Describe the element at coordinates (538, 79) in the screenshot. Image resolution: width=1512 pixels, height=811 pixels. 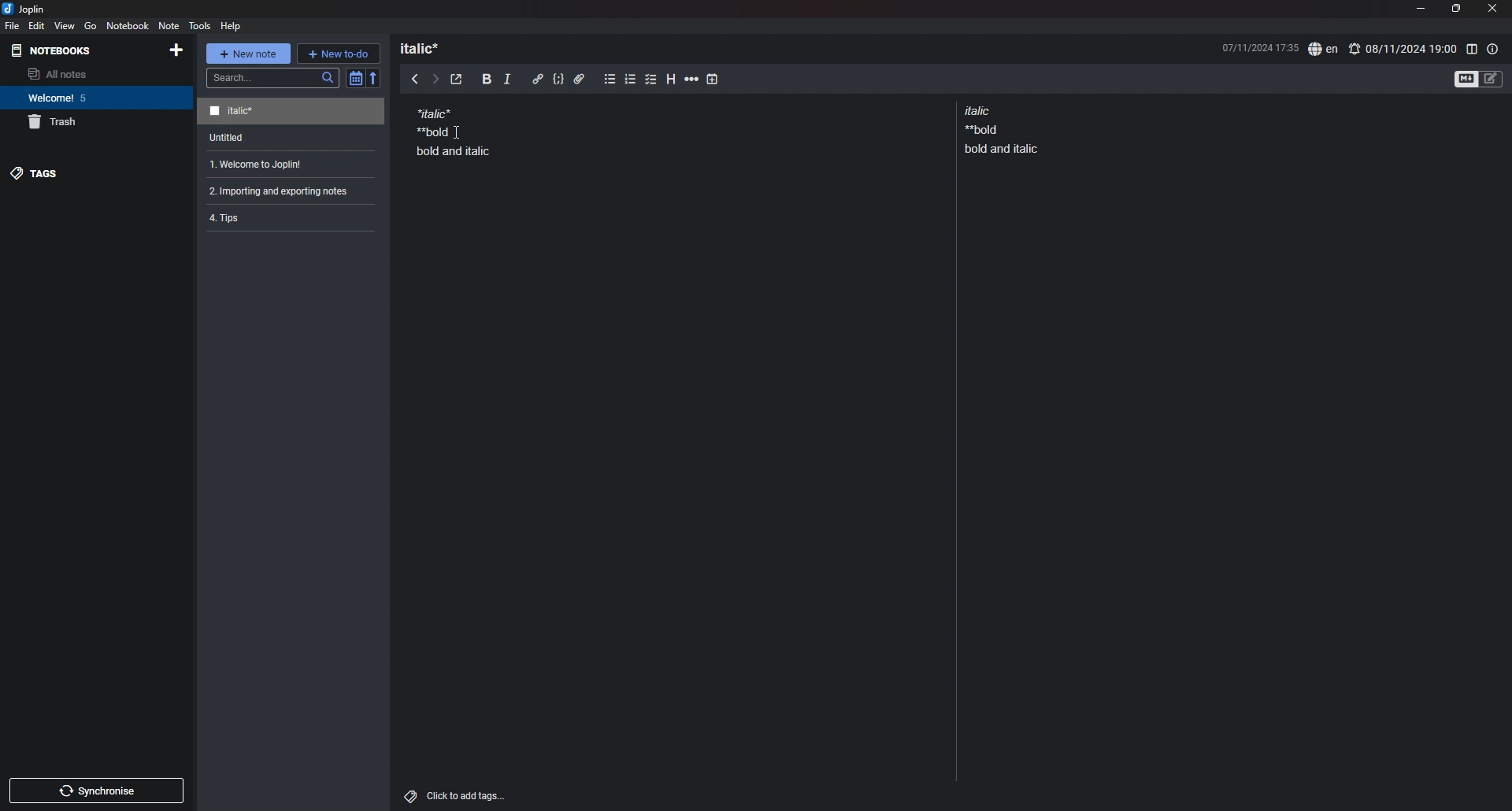
I see `hyperlink` at that location.